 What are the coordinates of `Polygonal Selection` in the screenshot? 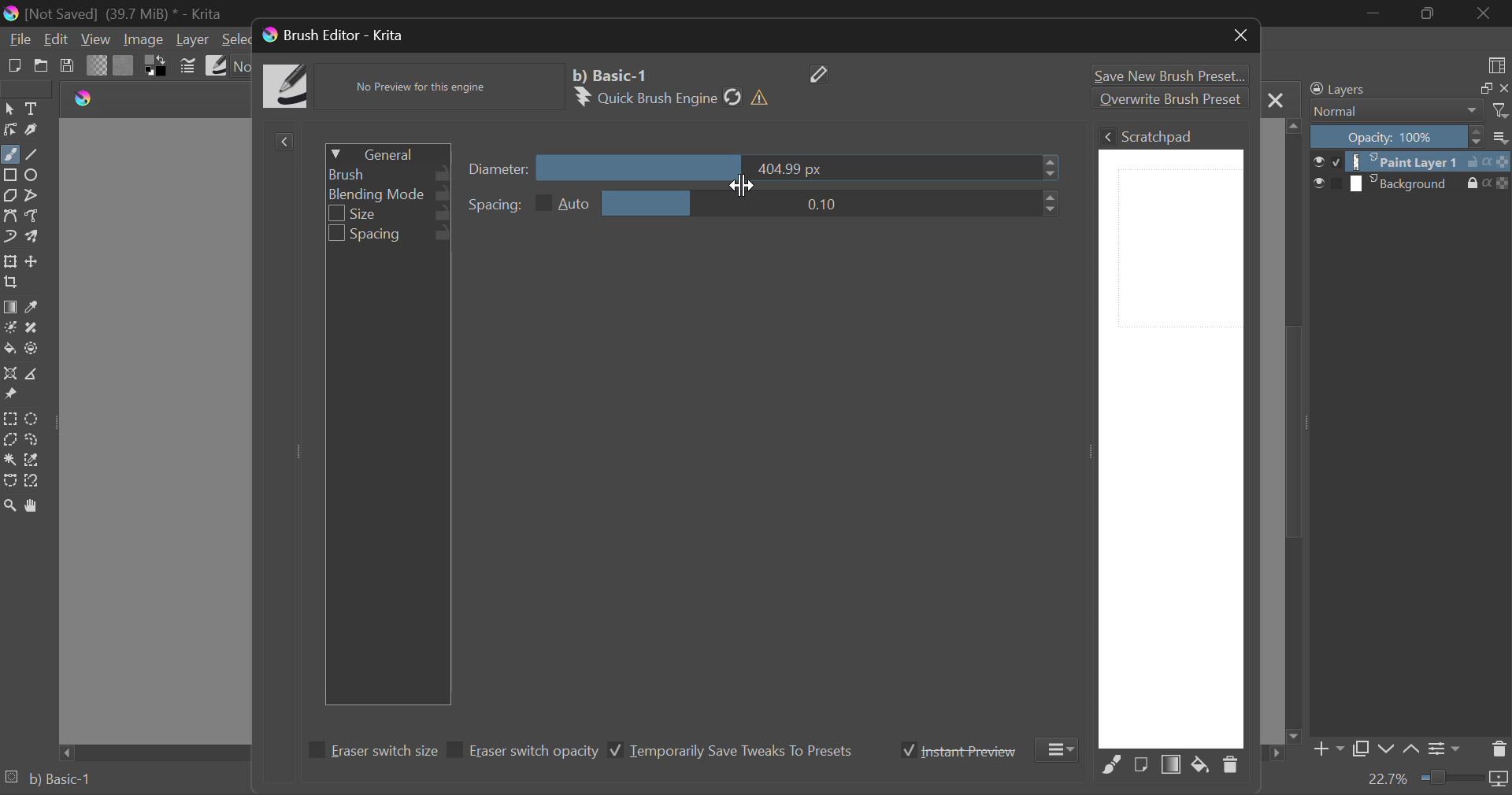 It's located at (9, 439).